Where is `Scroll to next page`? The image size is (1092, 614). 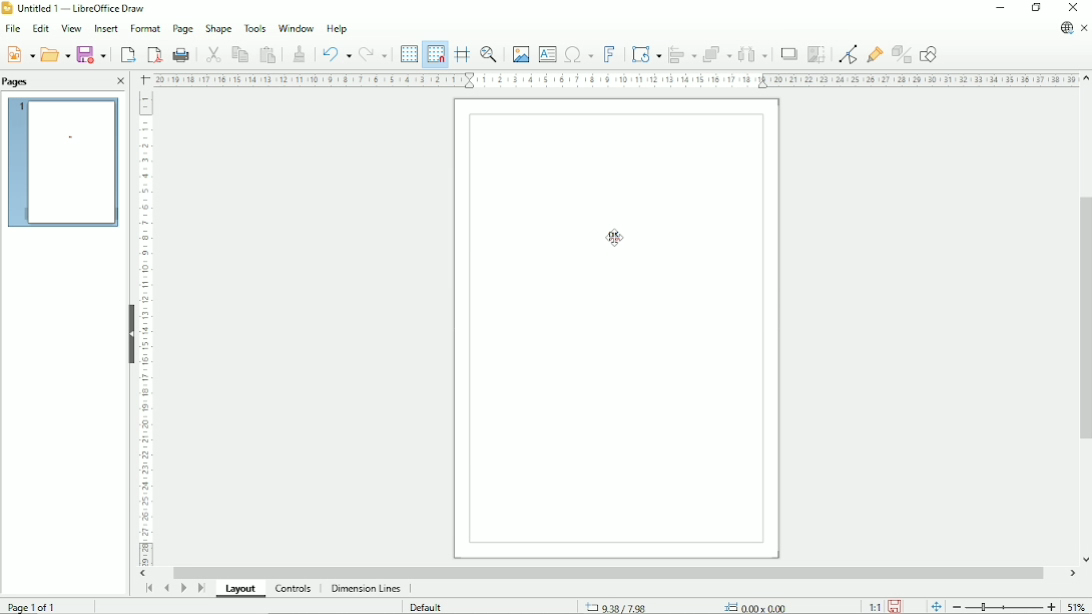
Scroll to next page is located at coordinates (183, 588).